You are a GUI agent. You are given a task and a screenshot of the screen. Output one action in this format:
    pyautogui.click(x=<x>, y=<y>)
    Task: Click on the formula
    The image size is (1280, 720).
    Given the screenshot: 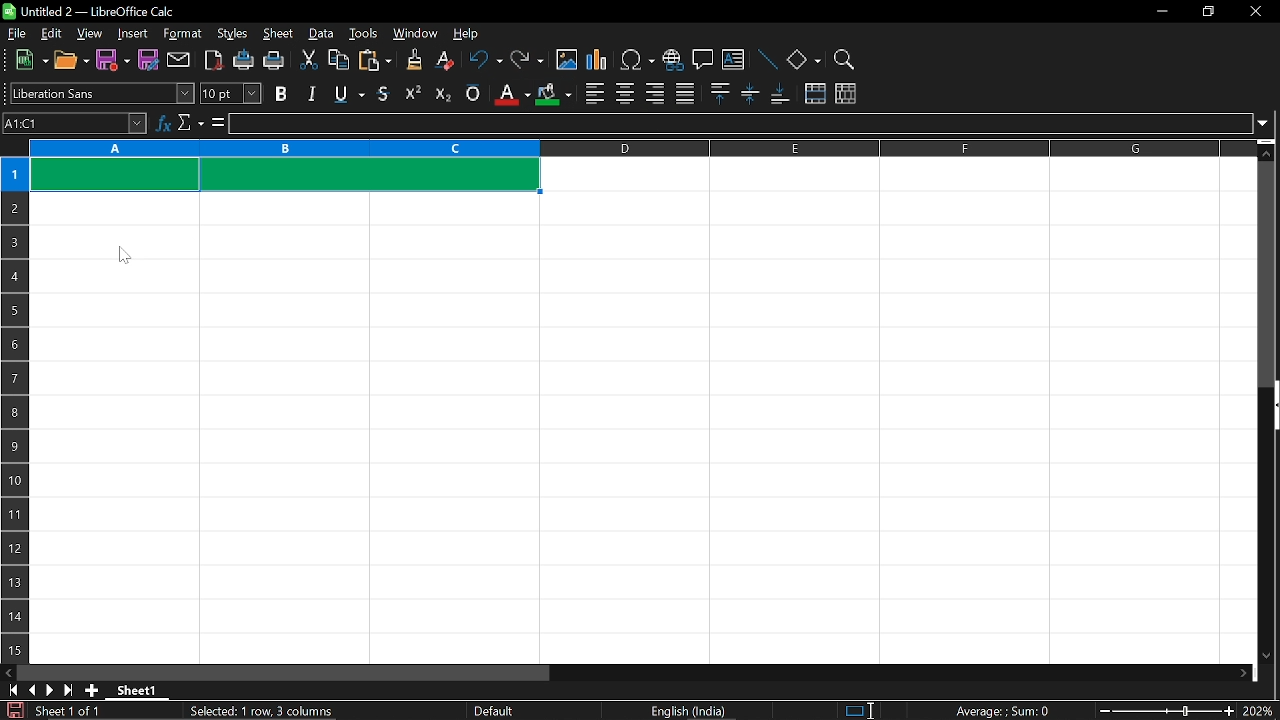 What is the action you would take?
    pyautogui.click(x=216, y=123)
    